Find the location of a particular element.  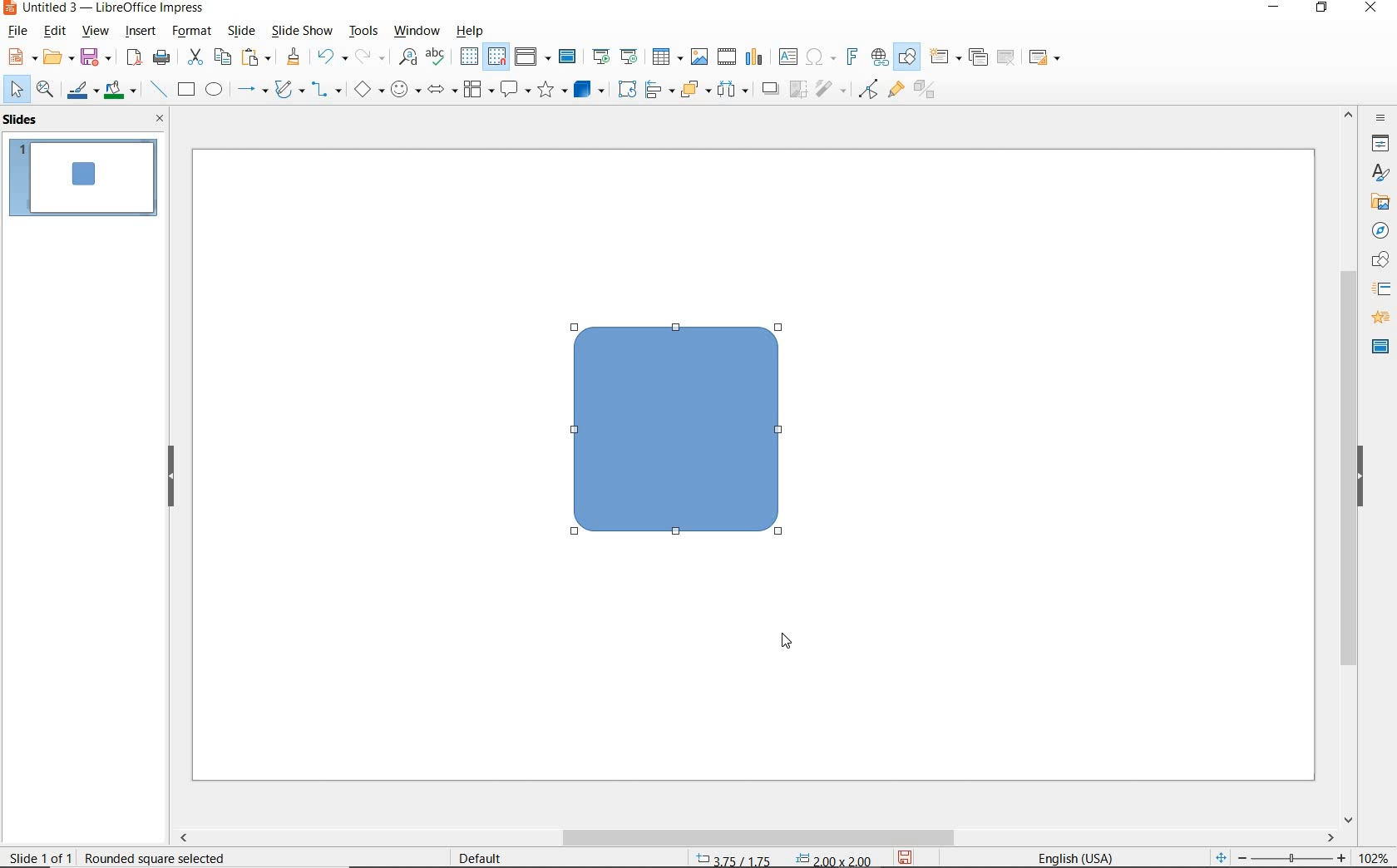

position and size is located at coordinates (778, 856).